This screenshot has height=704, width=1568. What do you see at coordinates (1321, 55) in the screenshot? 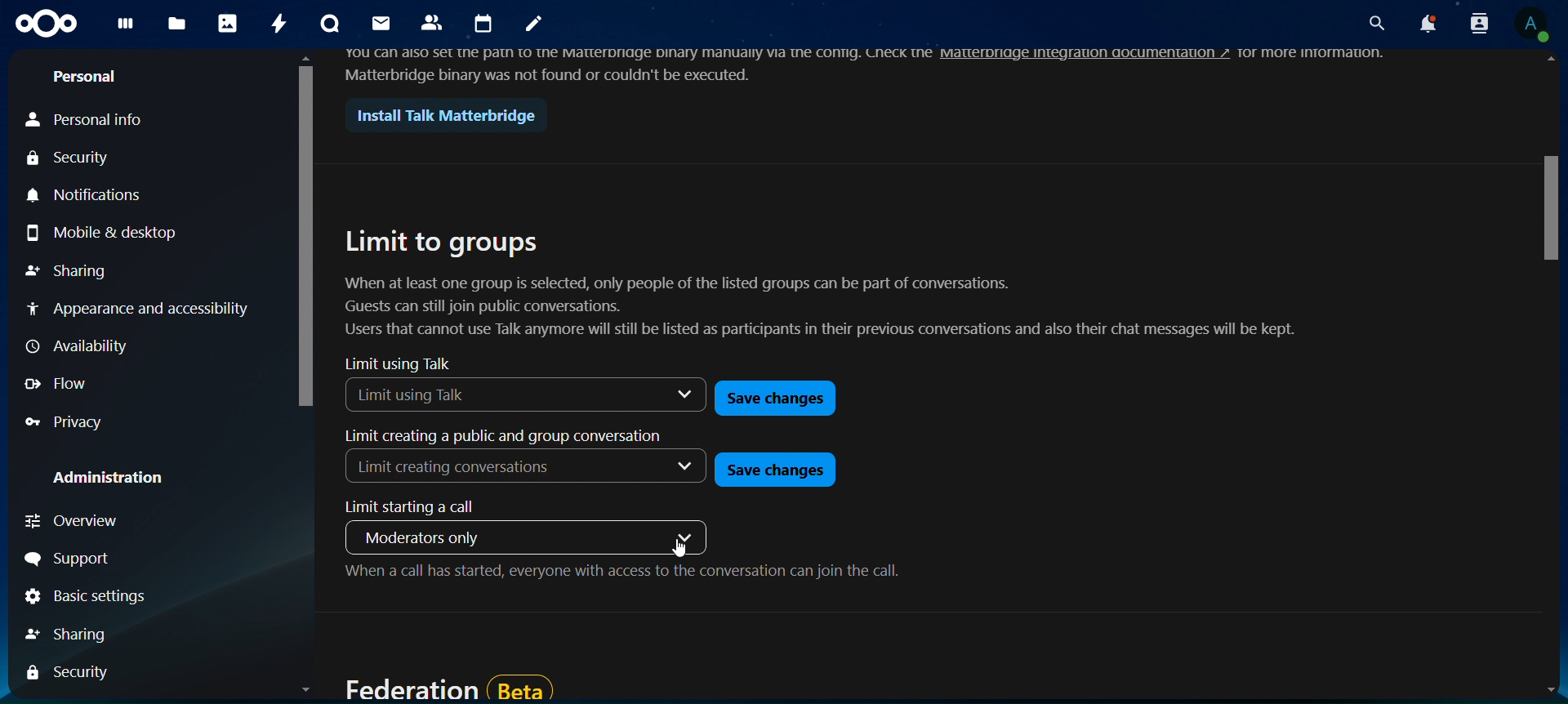
I see `text` at bounding box center [1321, 55].